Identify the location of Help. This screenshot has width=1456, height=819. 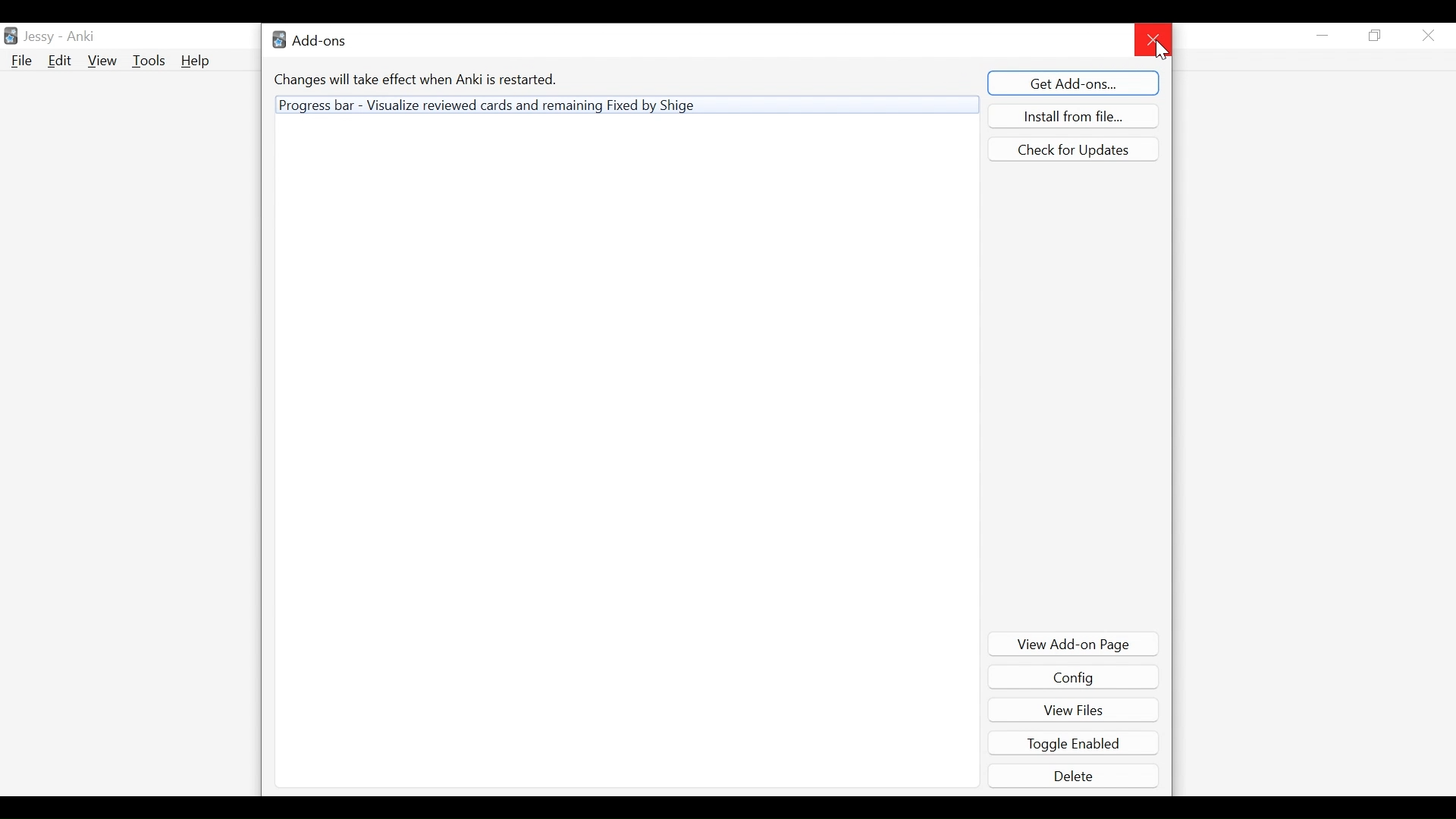
(199, 62).